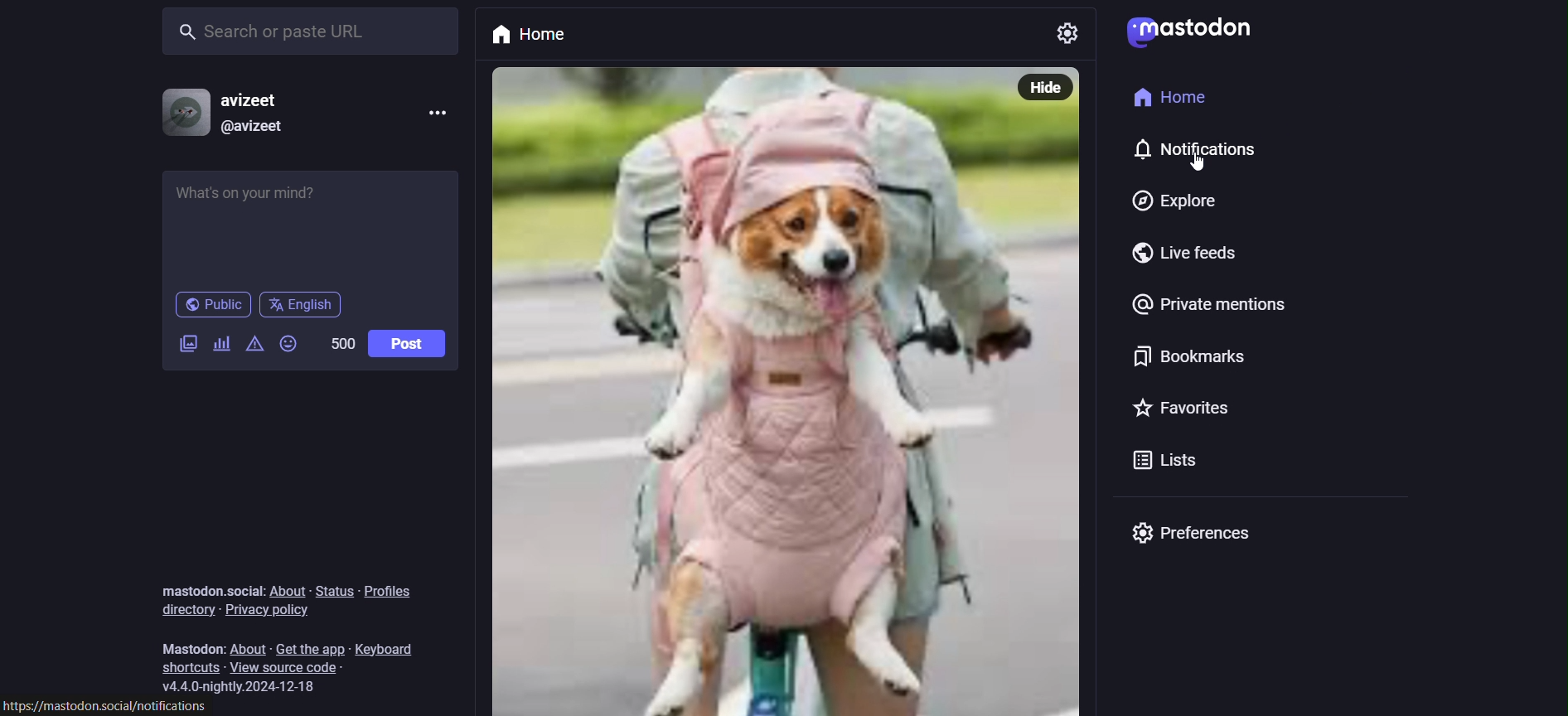 This screenshot has height=716, width=1568. Describe the element at coordinates (339, 342) in the screenshot. I see `word limit` at that location.